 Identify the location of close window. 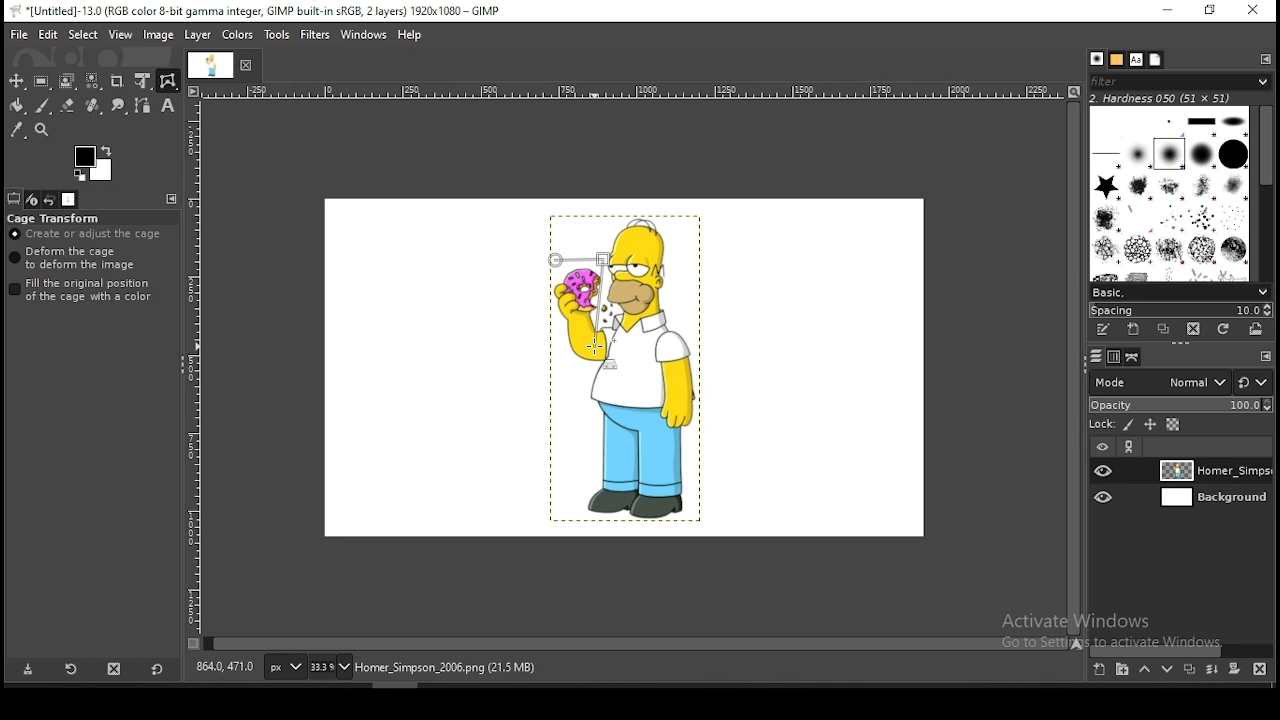
(1252, 12).